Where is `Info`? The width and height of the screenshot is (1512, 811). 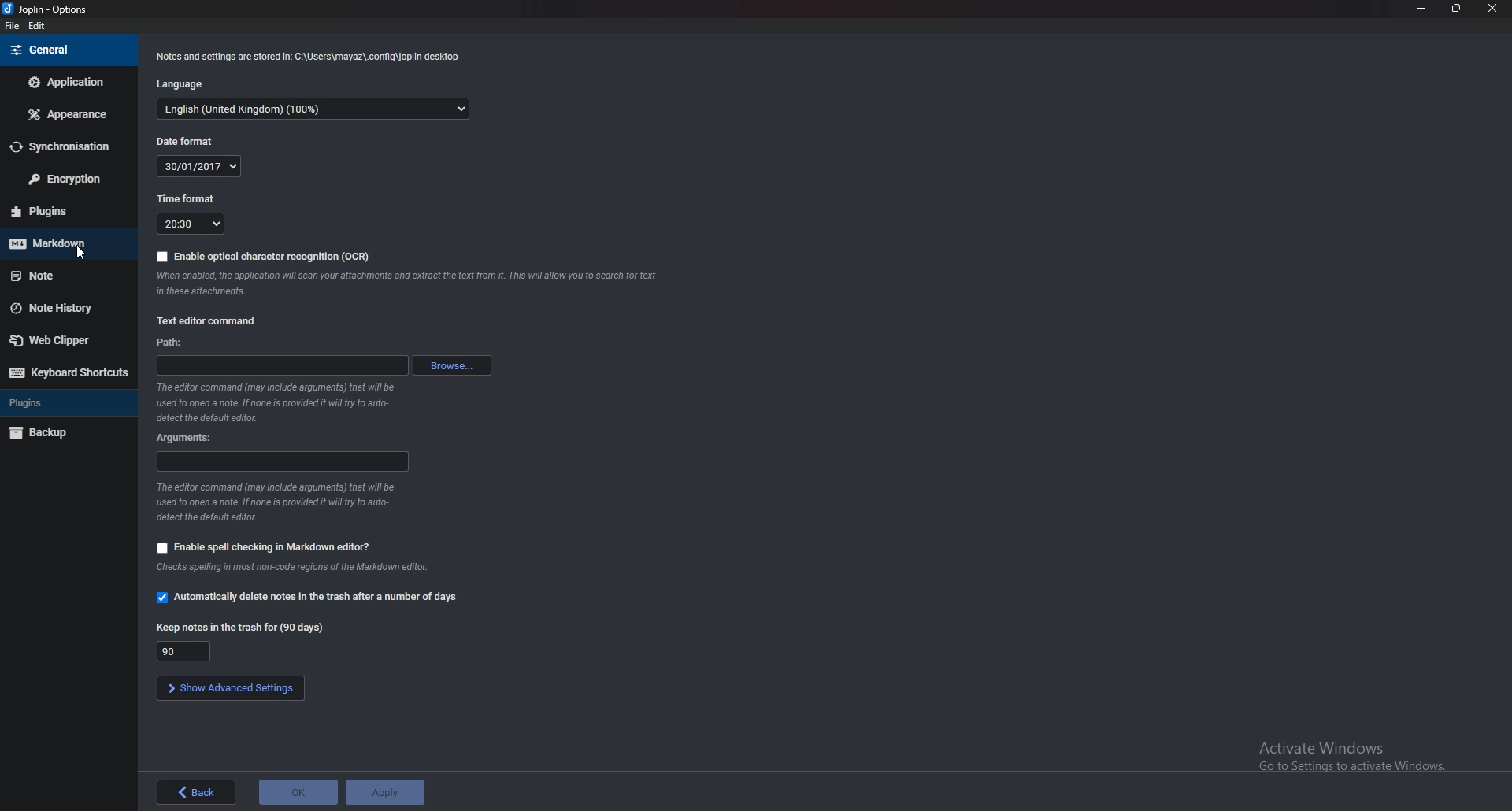
Info is located at coordinates (409, 282).